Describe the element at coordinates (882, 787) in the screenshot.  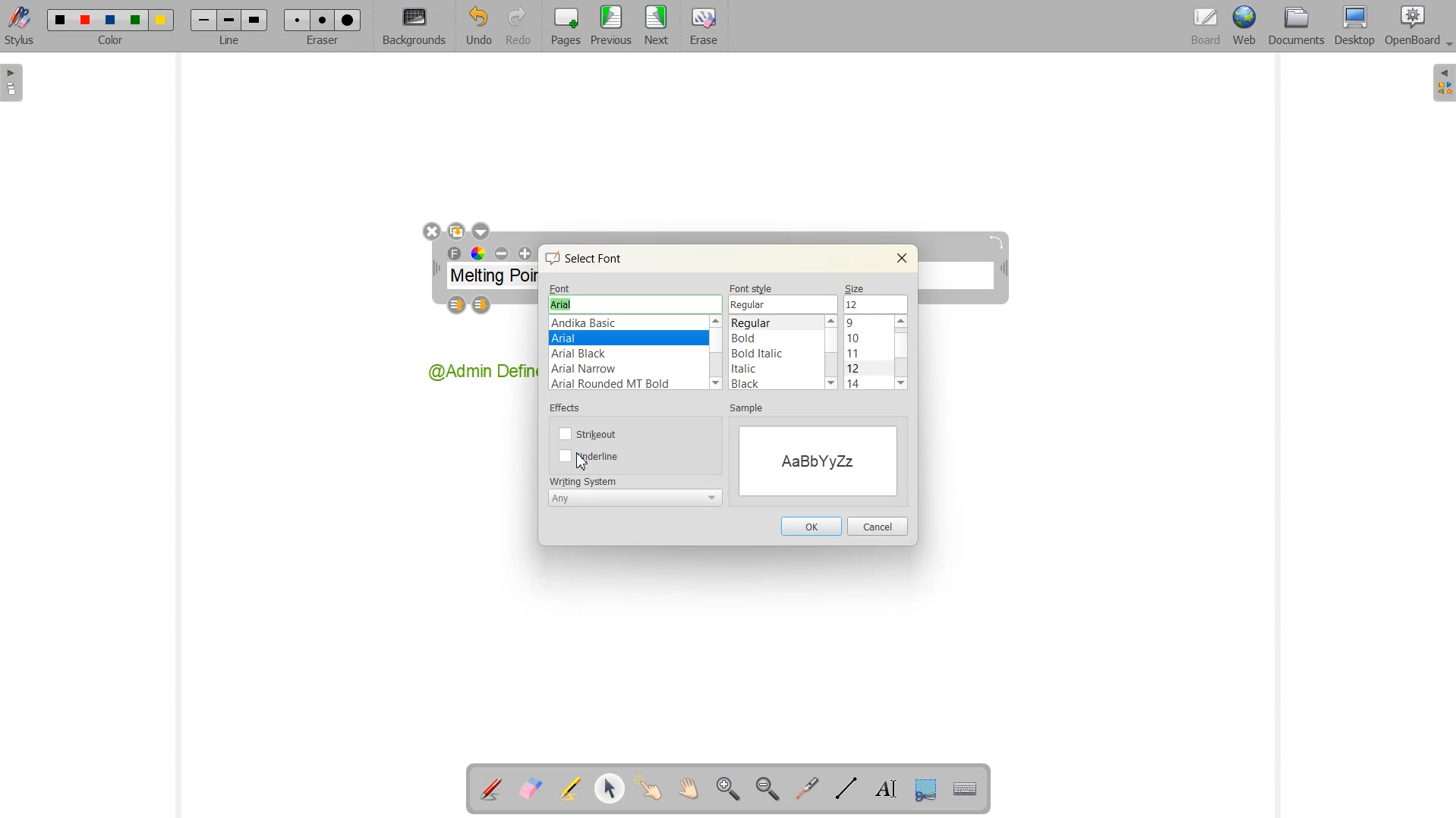
I see `Write text` at that location.